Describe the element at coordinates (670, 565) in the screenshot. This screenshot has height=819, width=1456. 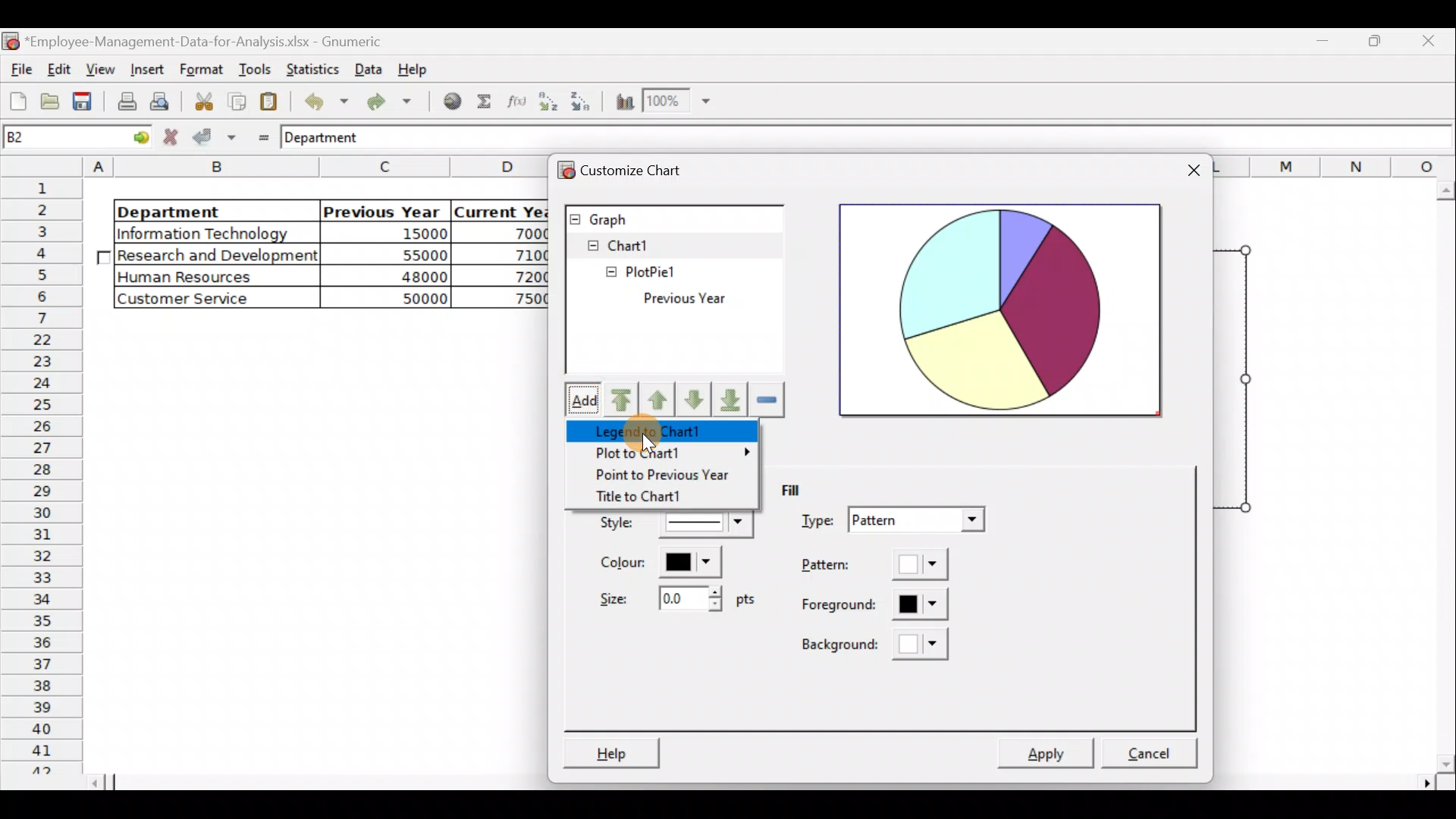
I see `Color` at that location.